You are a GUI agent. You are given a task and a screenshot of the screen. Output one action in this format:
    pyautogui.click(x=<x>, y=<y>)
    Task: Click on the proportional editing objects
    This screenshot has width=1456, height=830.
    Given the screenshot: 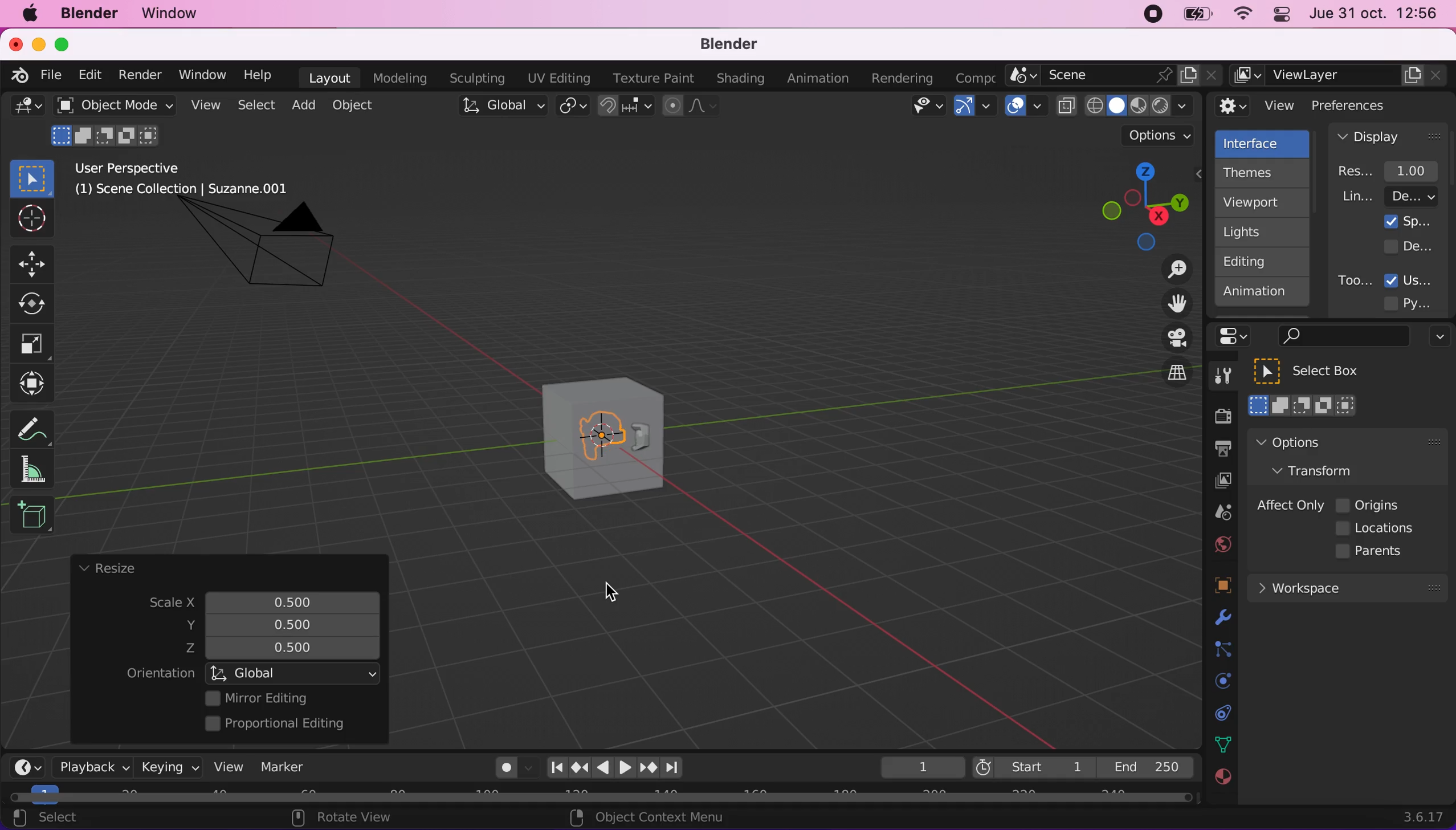 What is the action you would take?
    pyautogui.click(x=692, y=107)
    